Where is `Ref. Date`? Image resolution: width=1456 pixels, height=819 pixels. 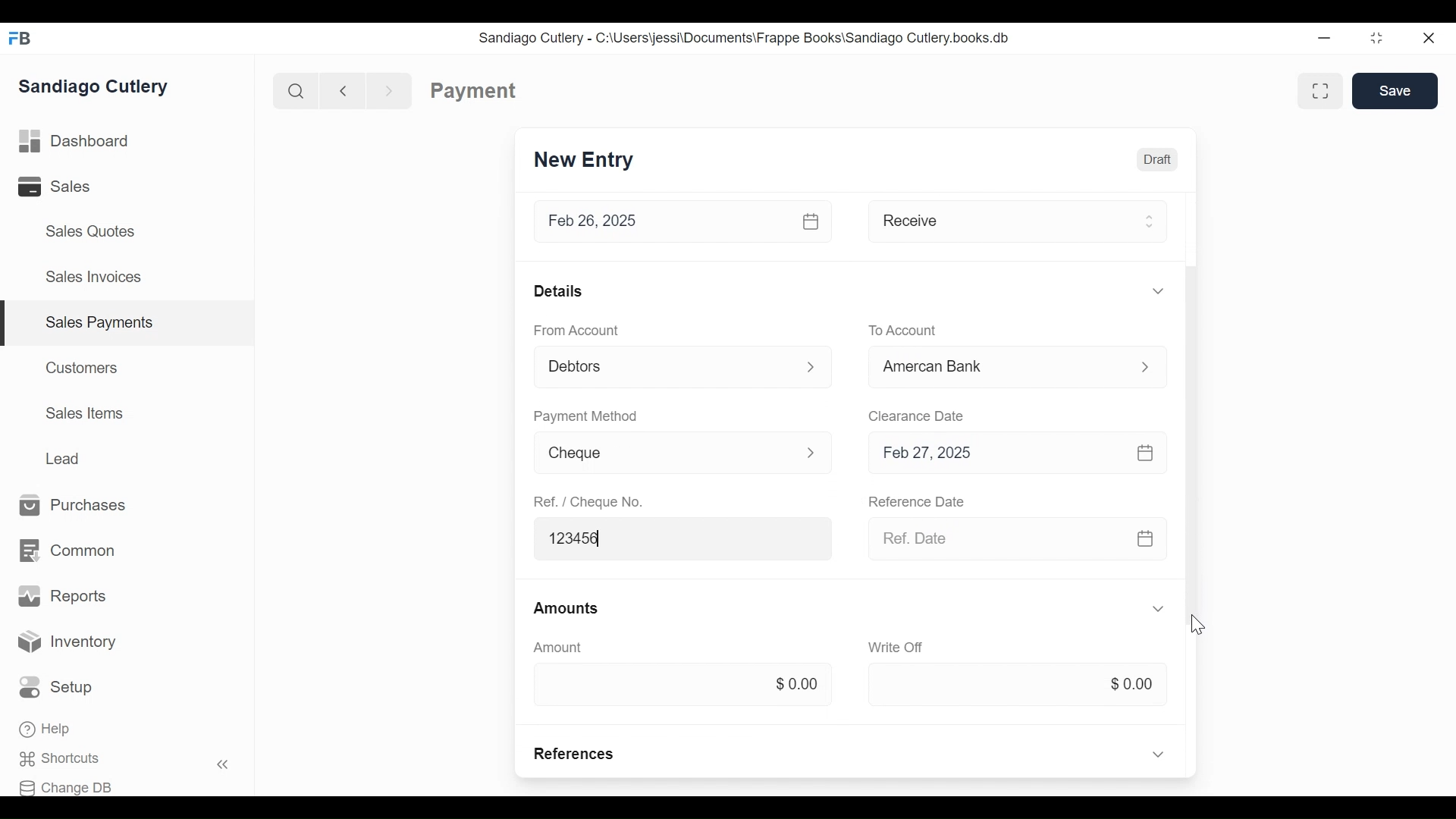 Ref. Date is located at coordinates (991, 538).